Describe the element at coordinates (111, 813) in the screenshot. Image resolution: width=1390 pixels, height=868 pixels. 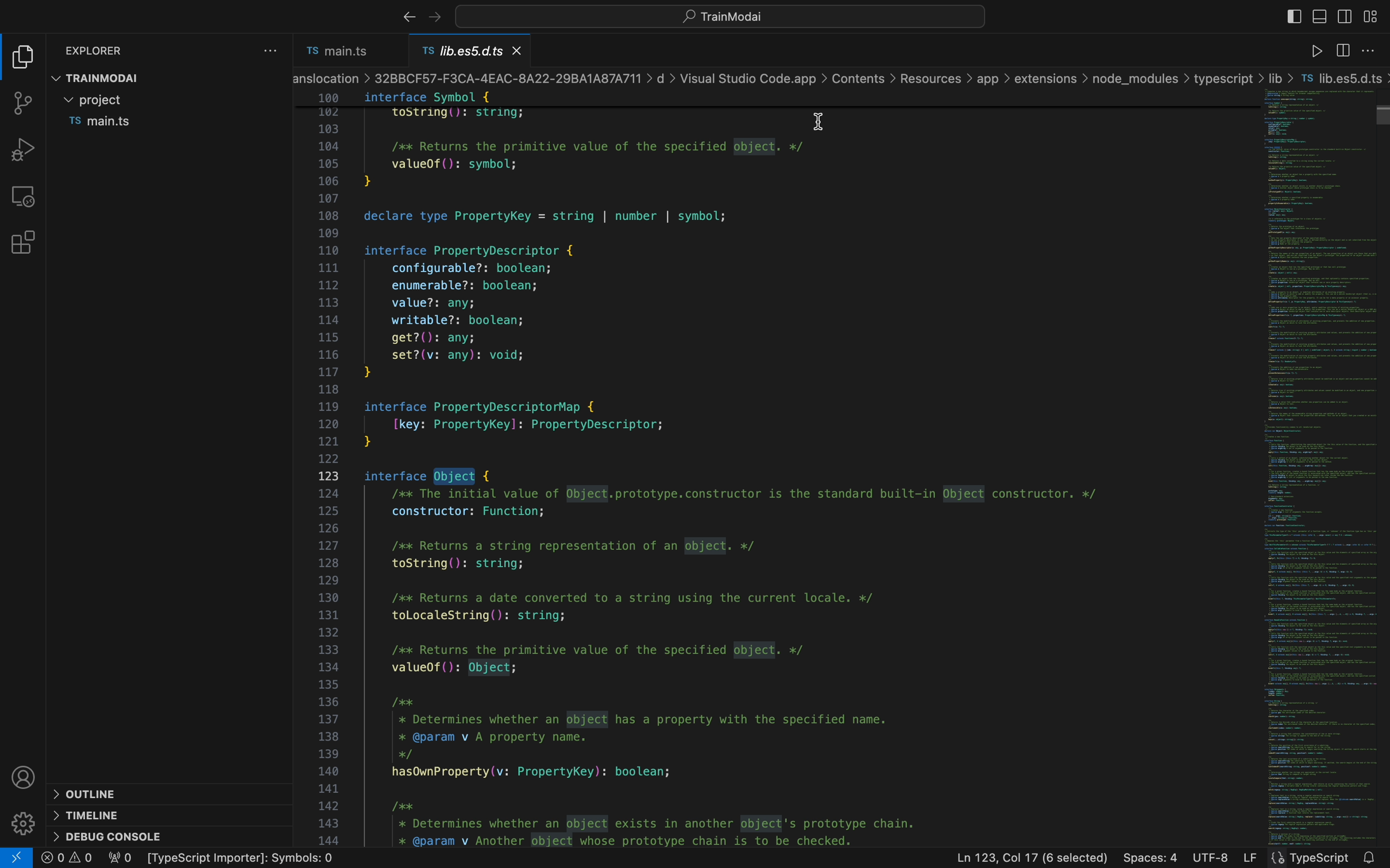
I see `timeline` at that location.